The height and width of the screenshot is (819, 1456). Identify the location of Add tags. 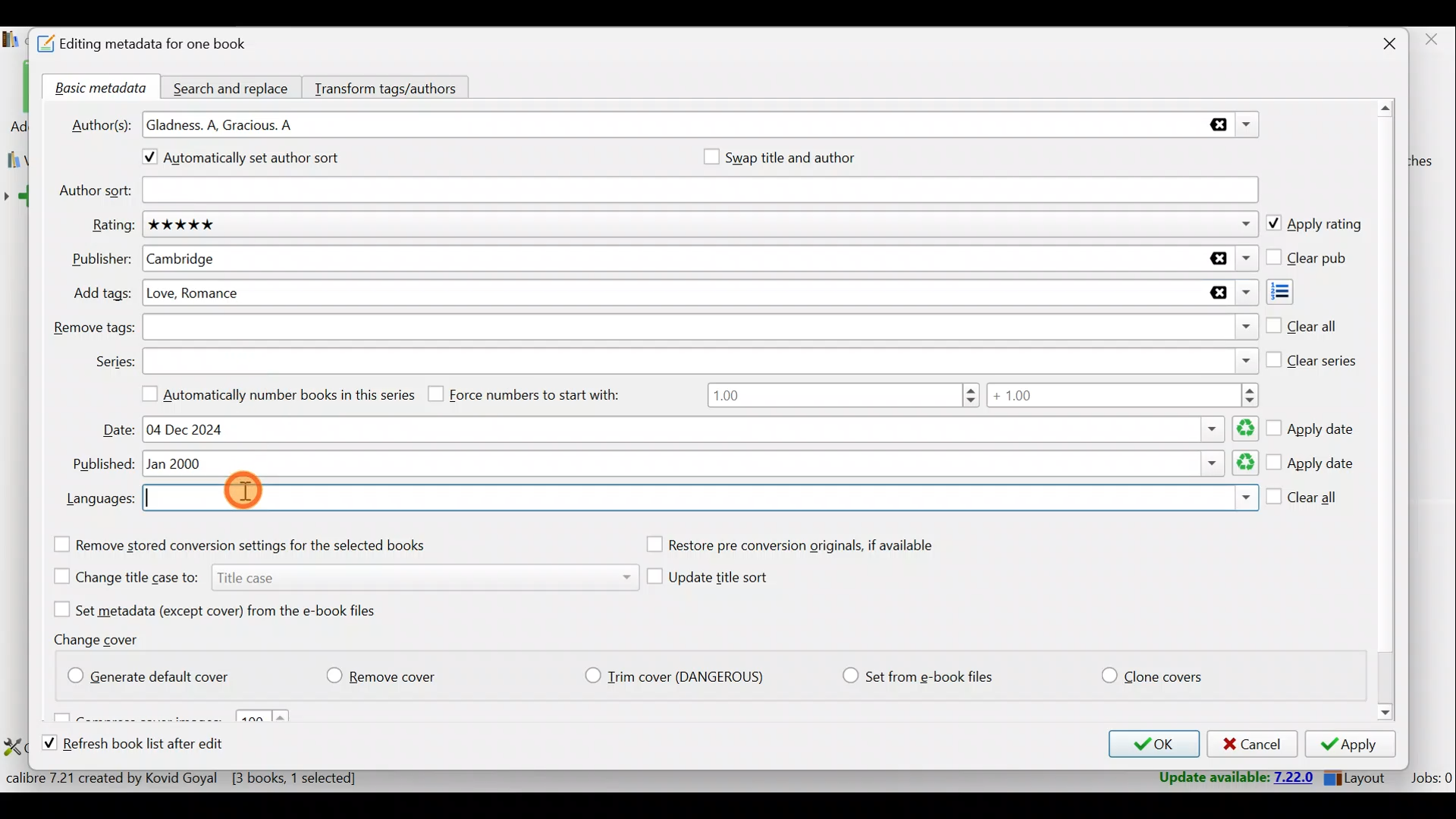
(1294, 292).